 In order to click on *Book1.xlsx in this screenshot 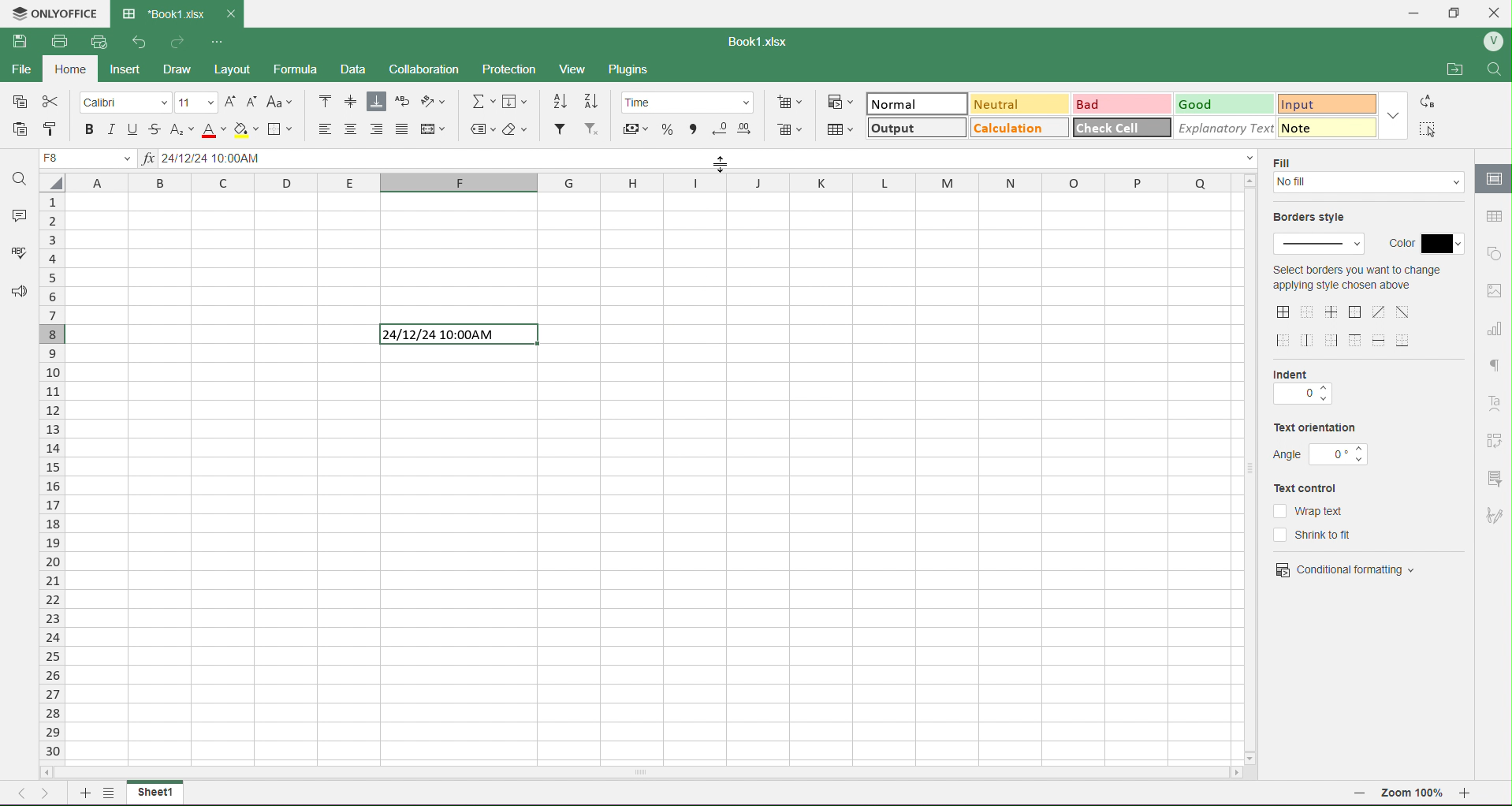, I will do `click(162, 9)`.